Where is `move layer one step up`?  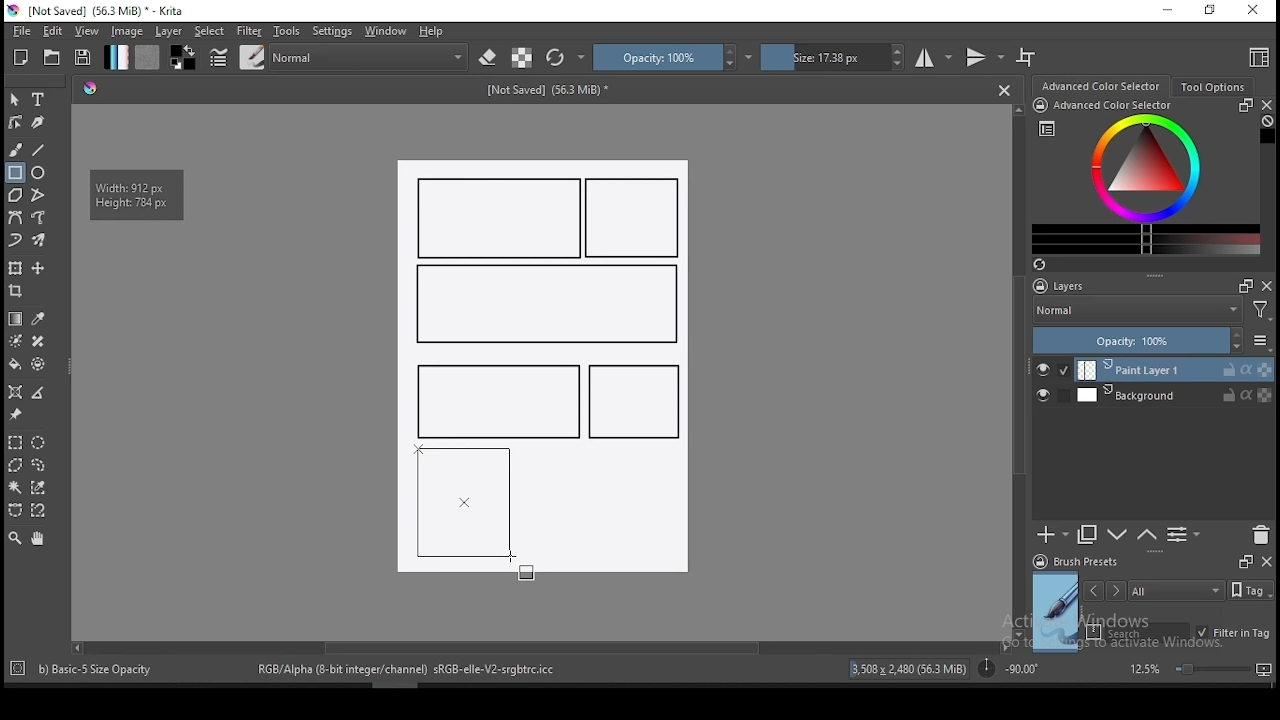 move layer one step up is located at coordinates (1118, 537).